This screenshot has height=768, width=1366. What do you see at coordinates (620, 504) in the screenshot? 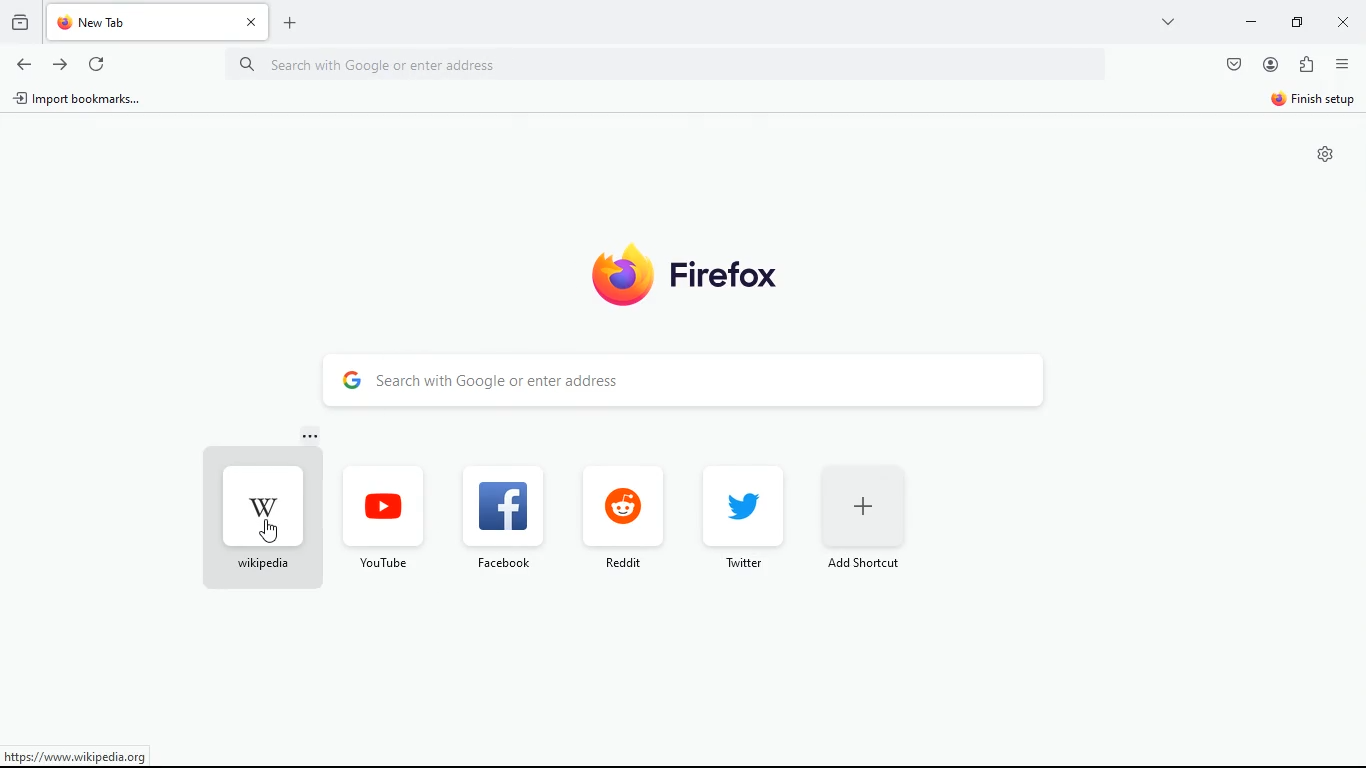
I see `reddit logo` at bounding box center [620, 504].